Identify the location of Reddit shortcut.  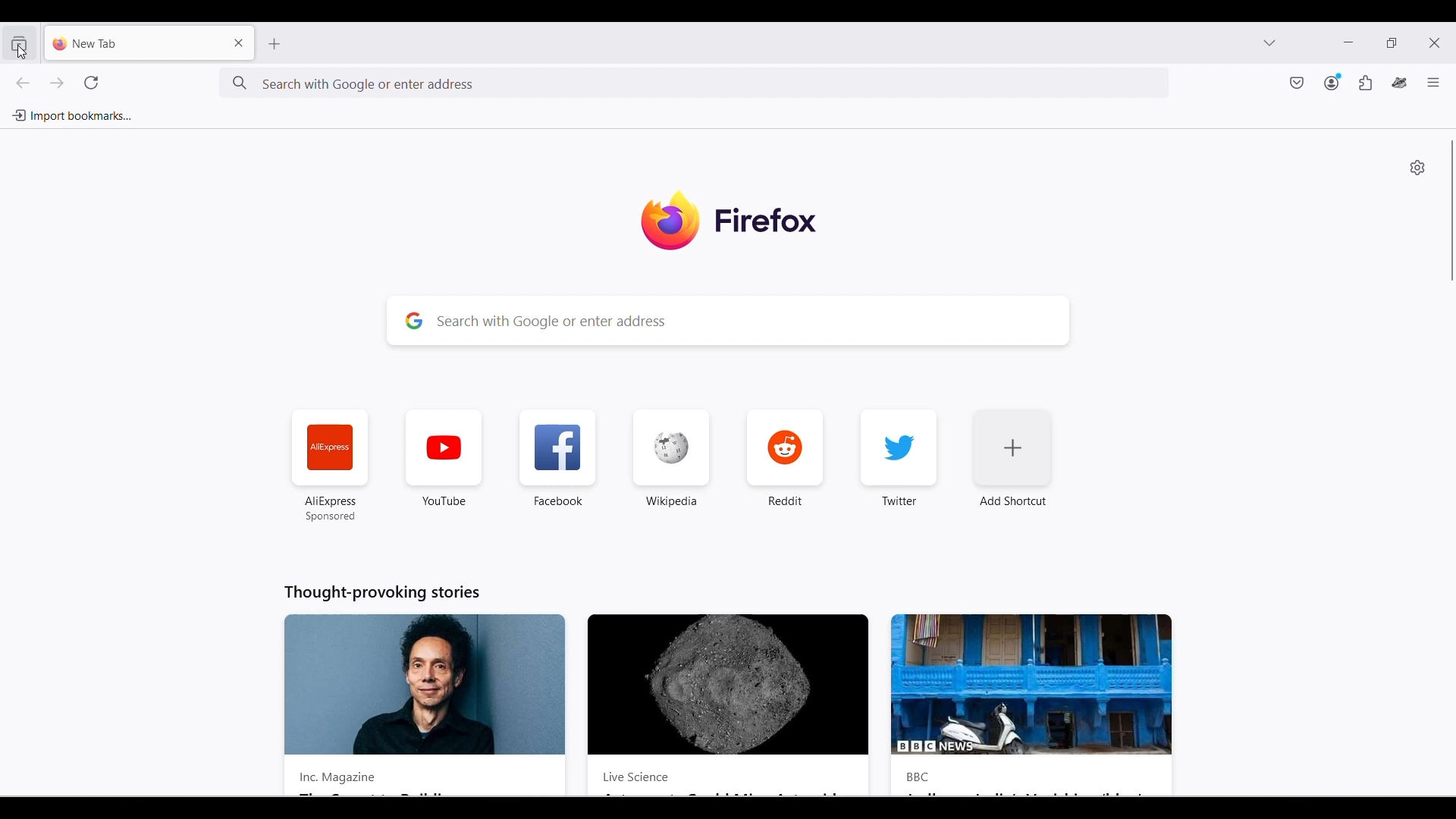
(786, 457).